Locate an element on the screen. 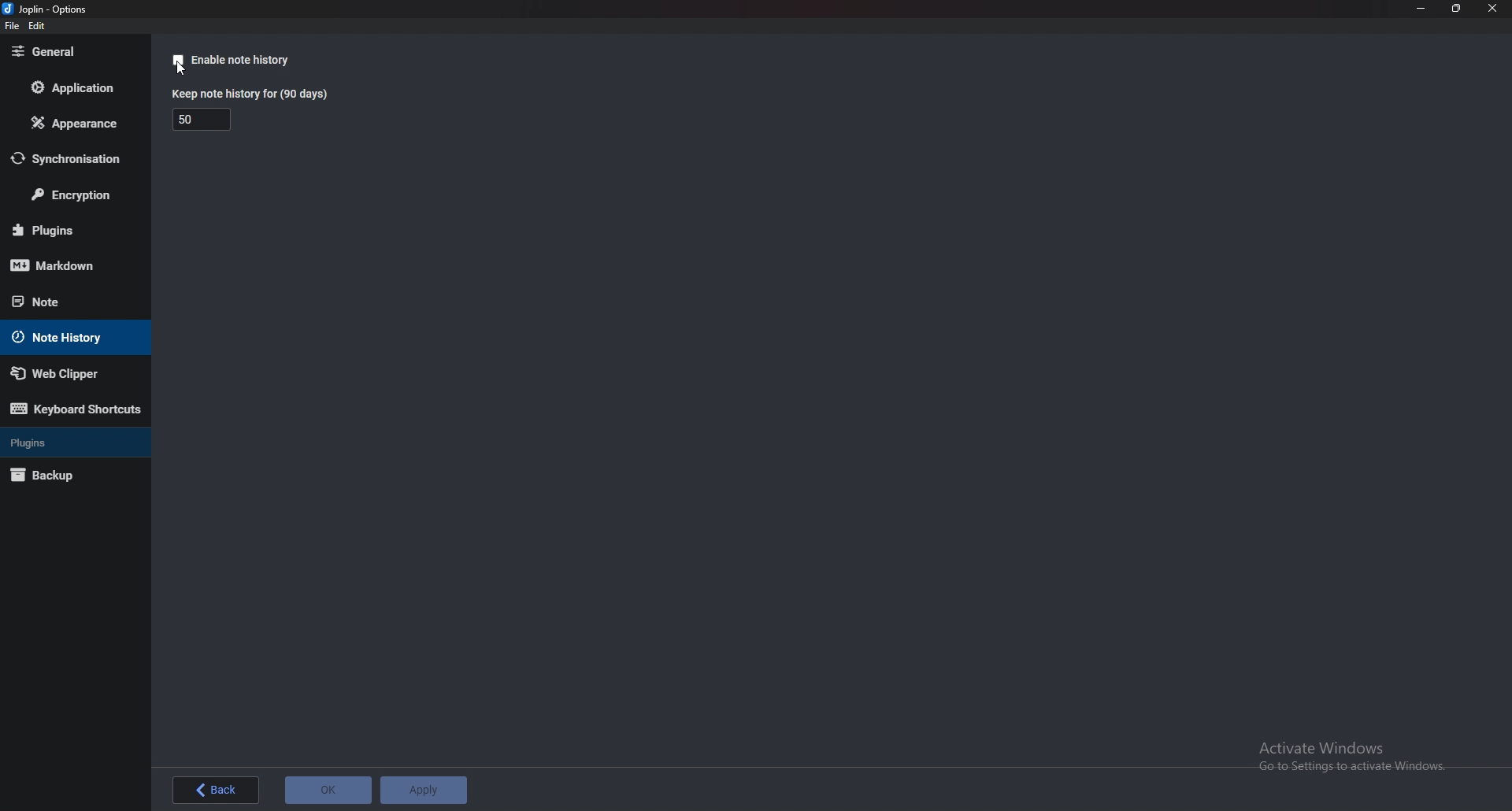 The height and width of the screenshot is (811, 1512). Minimize is located at coordinates (1420, 9).